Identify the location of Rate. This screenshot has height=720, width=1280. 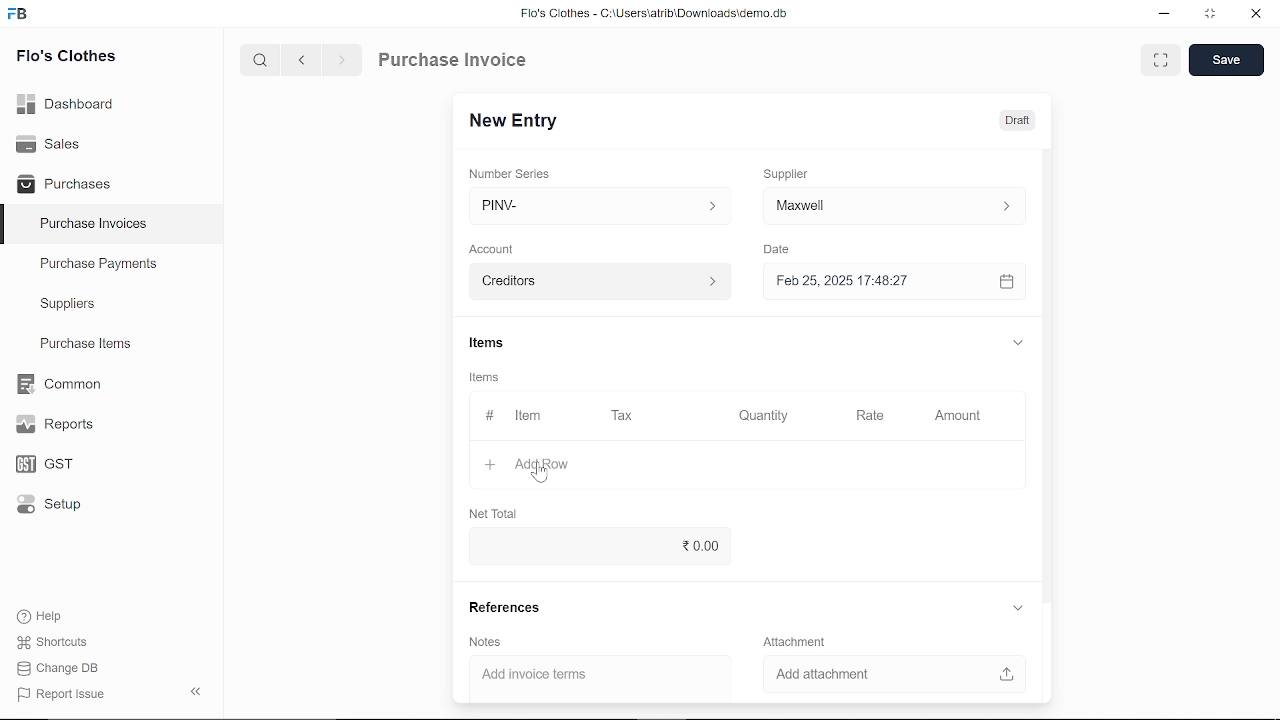
(879, 414).